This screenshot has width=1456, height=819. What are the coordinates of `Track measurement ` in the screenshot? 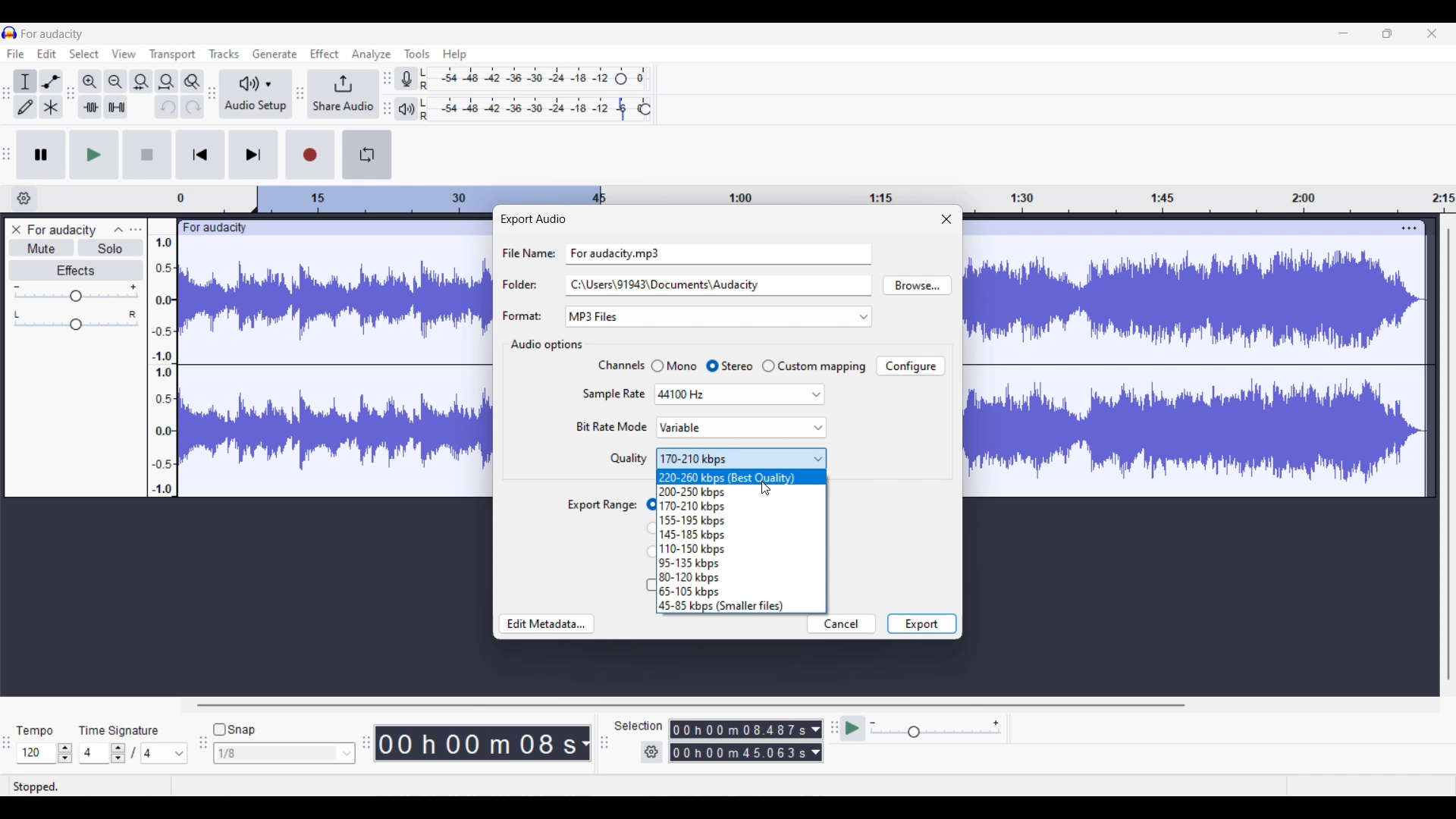 It's located at (584, 743).